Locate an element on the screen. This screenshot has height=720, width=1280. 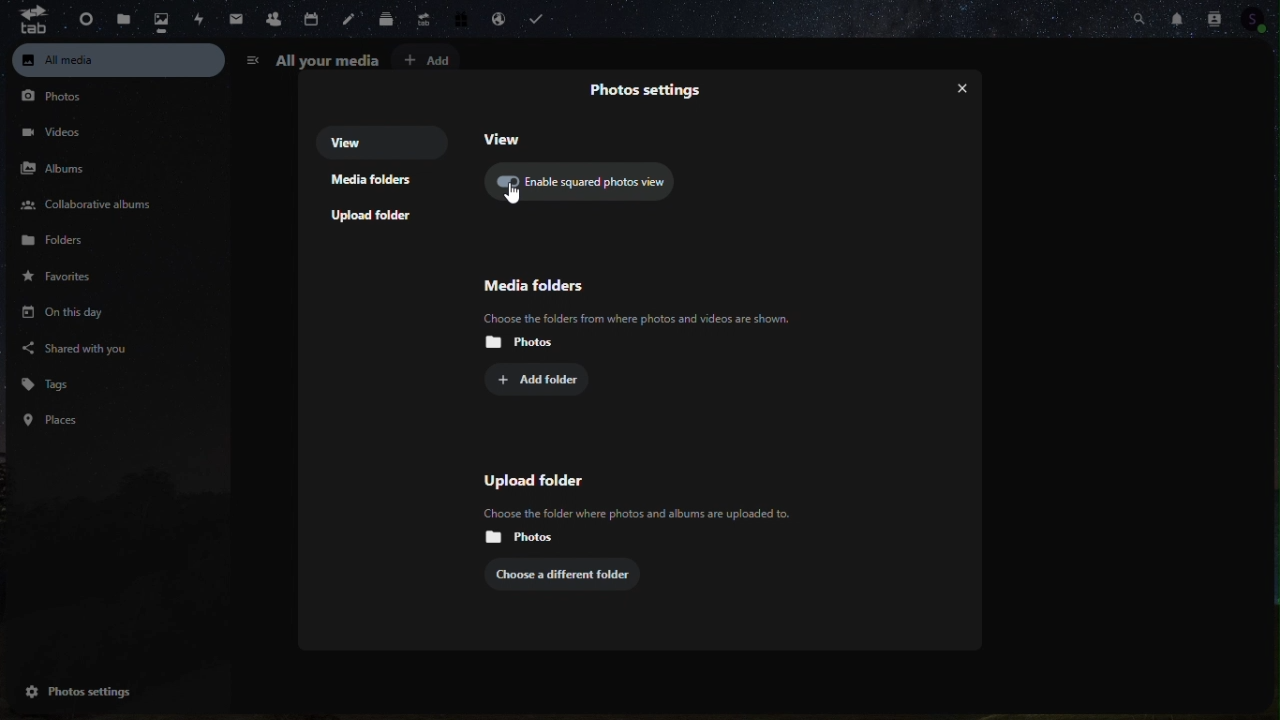
Upload folder is located at coordinates (540, 481).